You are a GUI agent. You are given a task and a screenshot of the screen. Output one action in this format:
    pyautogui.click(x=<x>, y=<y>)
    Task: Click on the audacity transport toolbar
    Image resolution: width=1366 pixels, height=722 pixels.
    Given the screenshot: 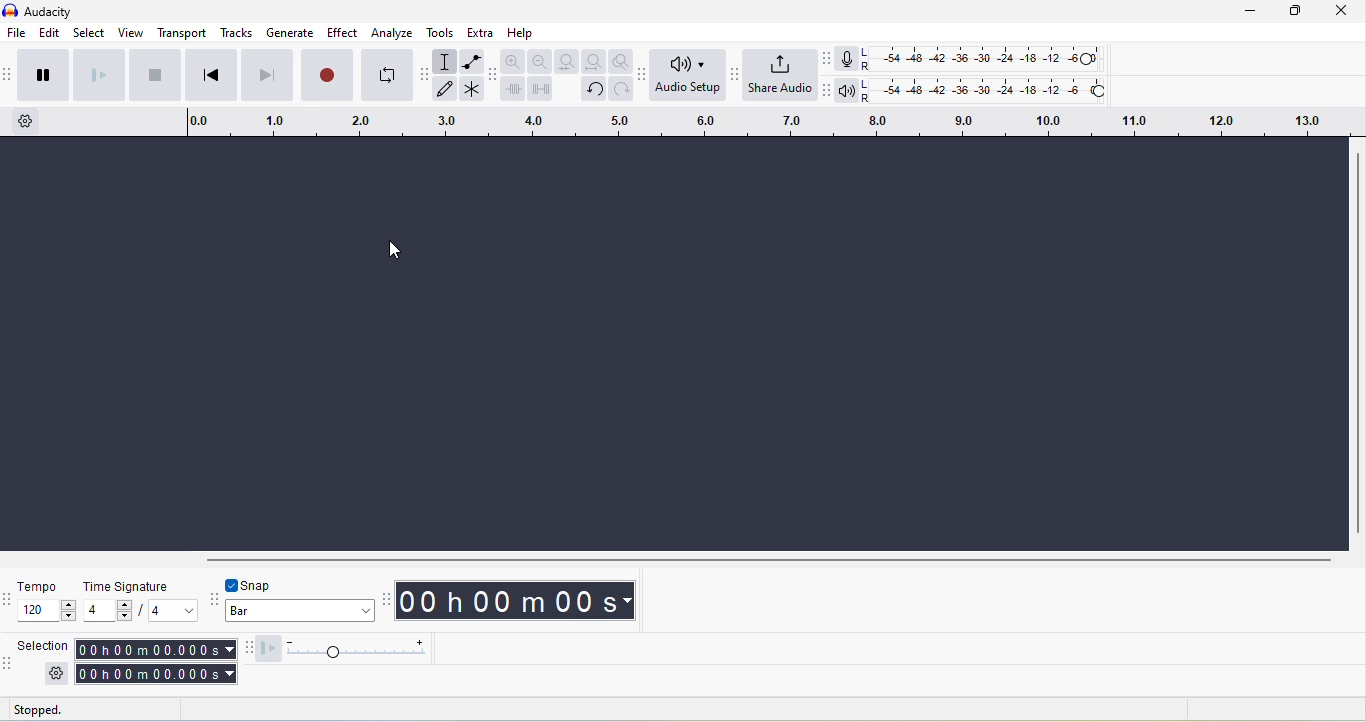 What is the action you would take?
    pyautogui.click(x=9, y=75)
    